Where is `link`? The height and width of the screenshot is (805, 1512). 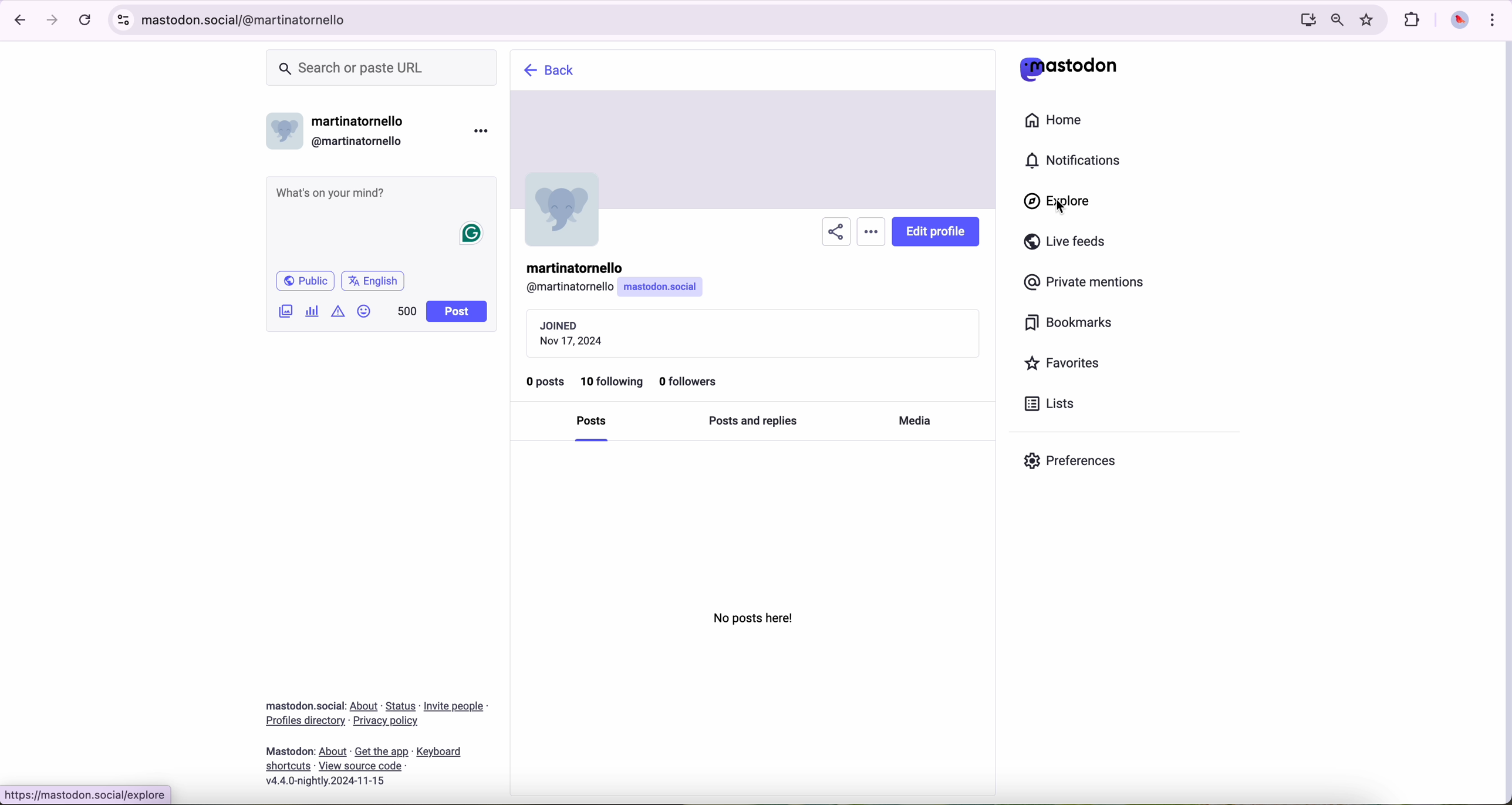
link is located at coordinates (360, 765).